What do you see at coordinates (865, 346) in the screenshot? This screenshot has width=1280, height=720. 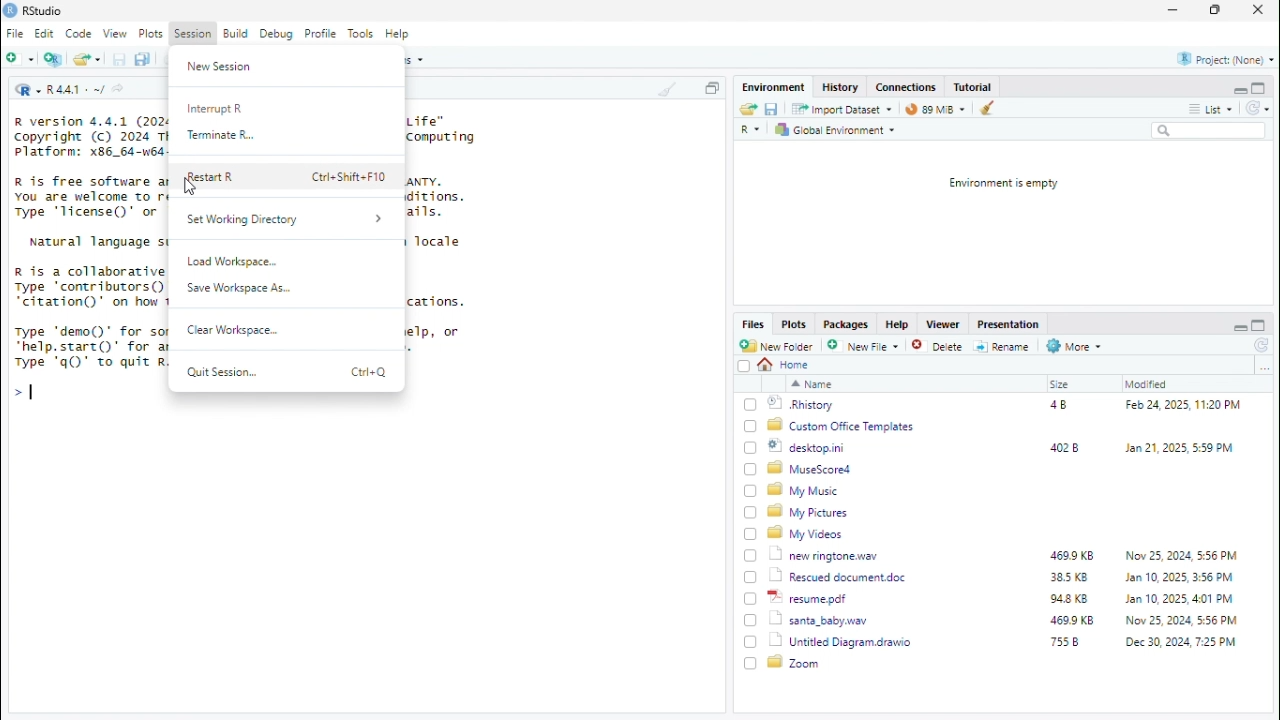 I see `New File` at bounding box center [865, 346].